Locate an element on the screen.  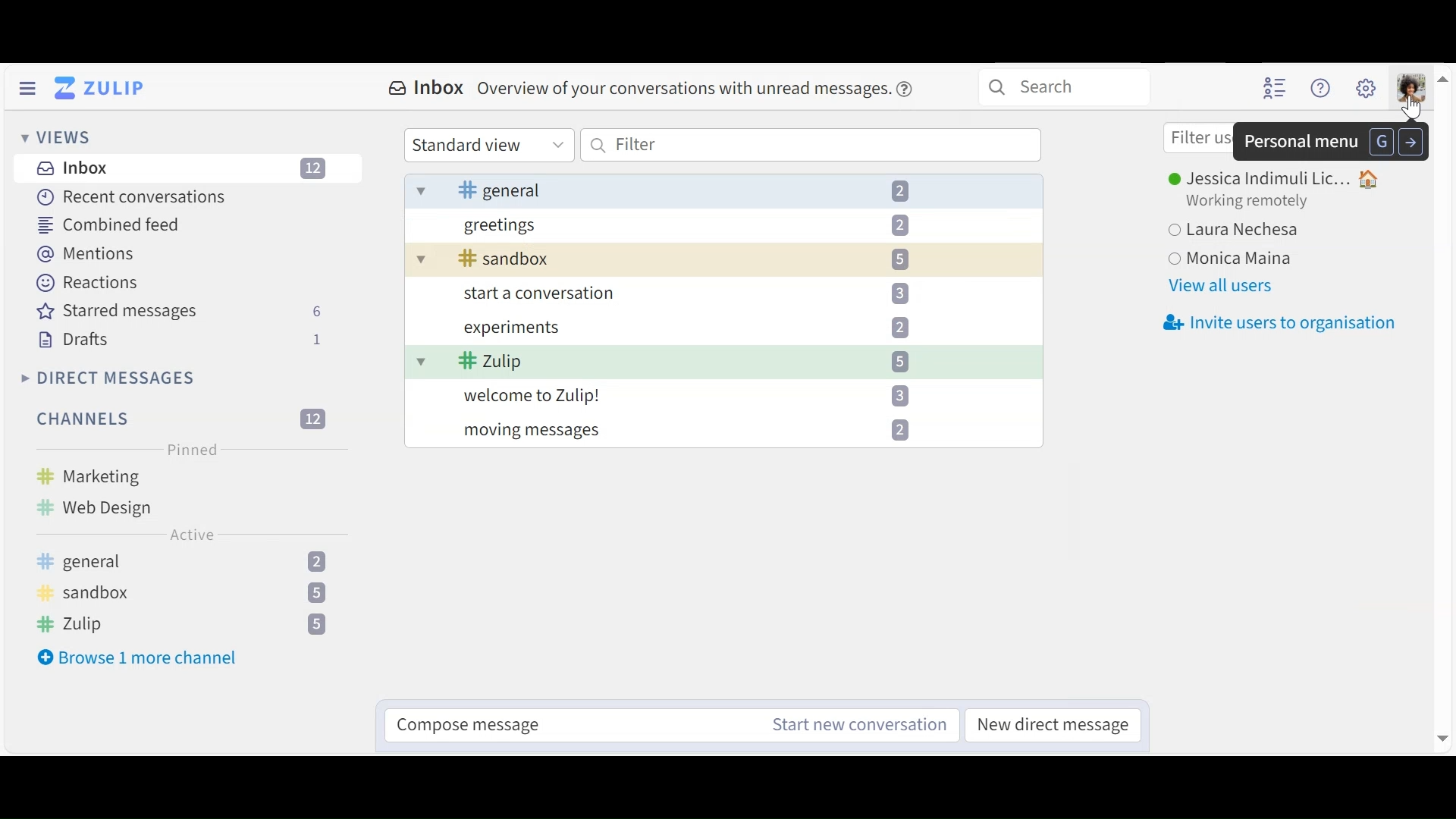
2 is located at coordinates (899, 431).